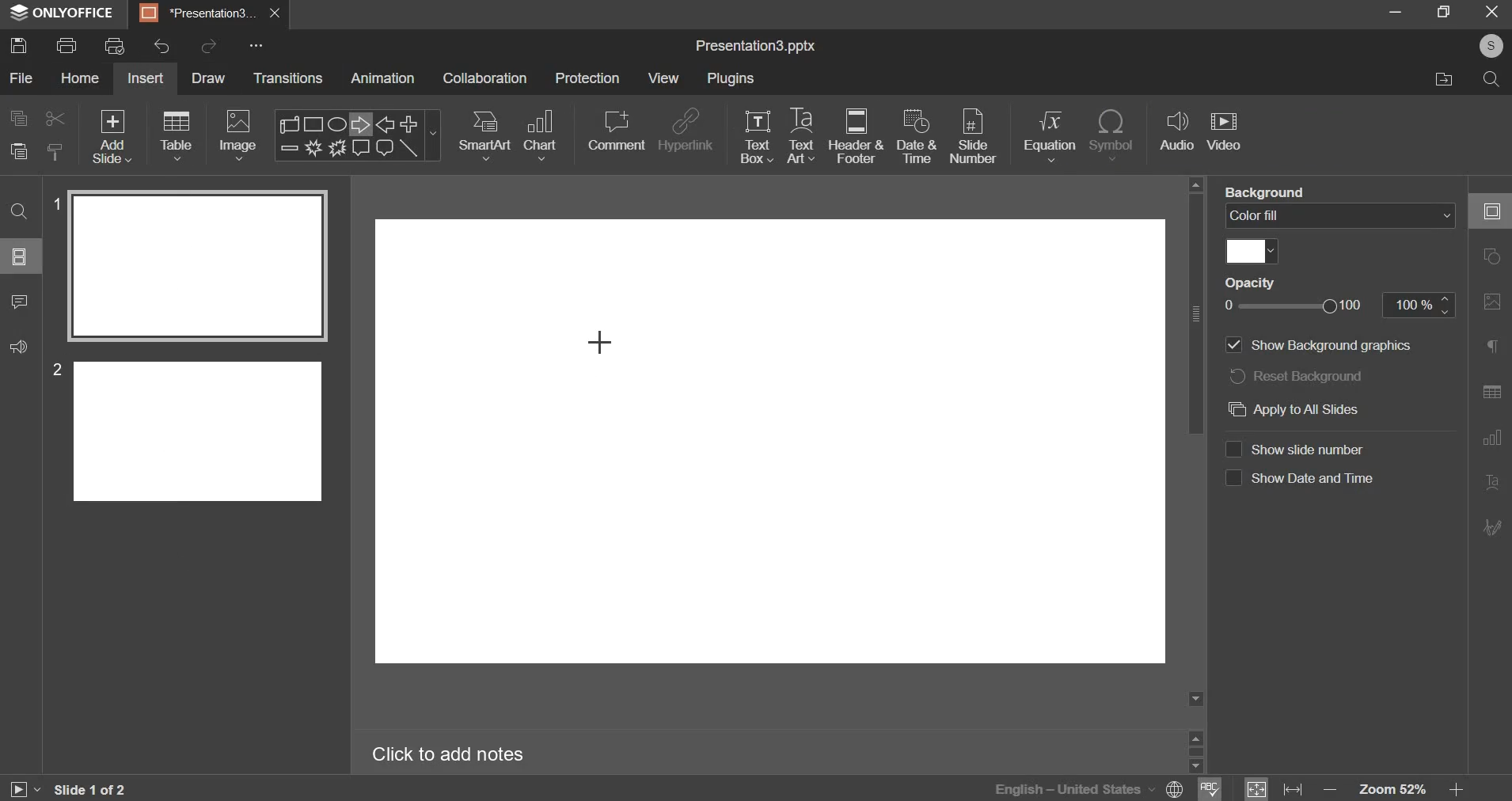 This screenshot has width=1512, height=801. Describe the element at coordinates (1195, 736) in the screenshot. I see `scroll up` at that location.